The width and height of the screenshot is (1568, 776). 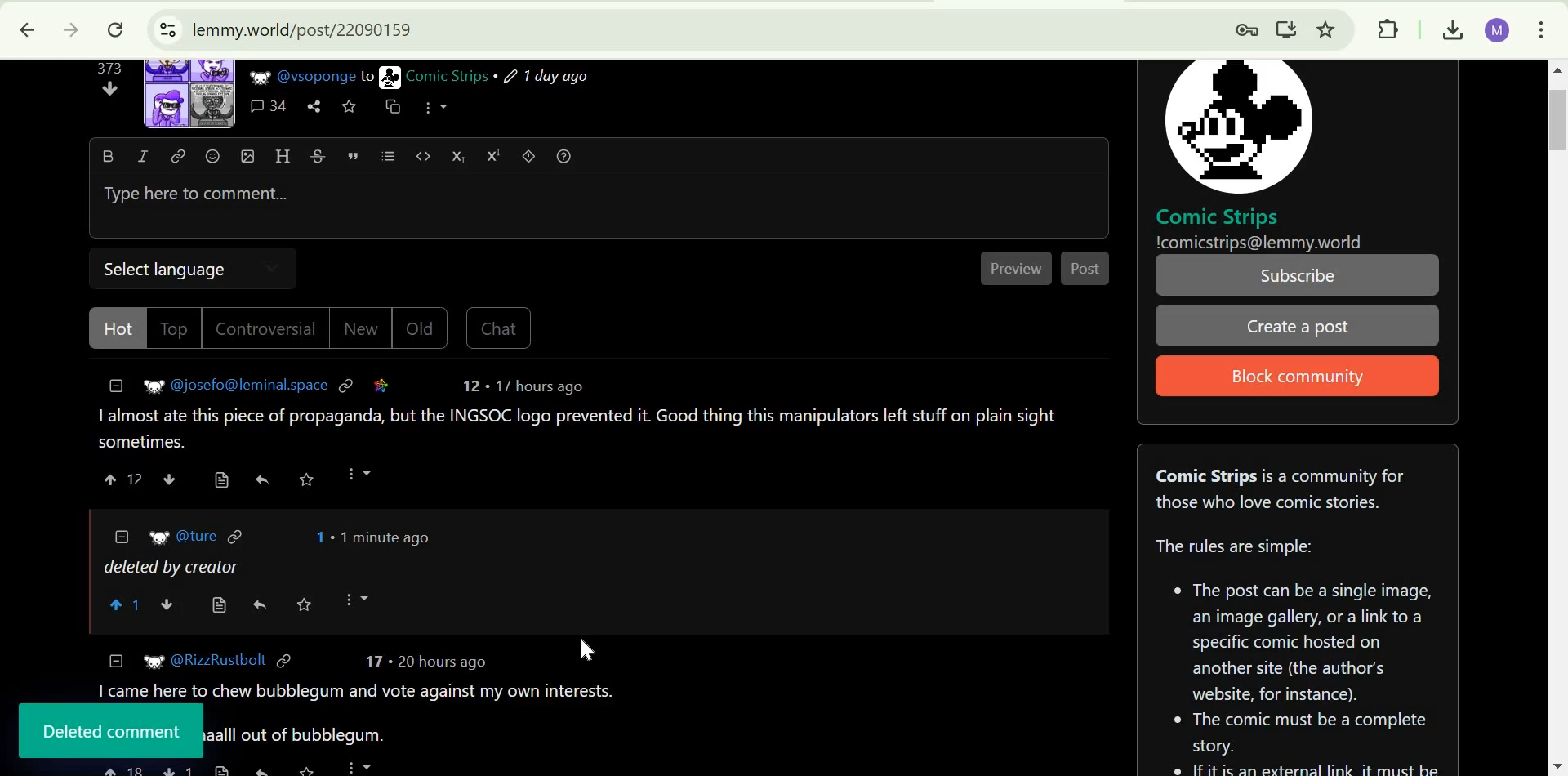 I want to click on collapse, so click(x=117, y=386).